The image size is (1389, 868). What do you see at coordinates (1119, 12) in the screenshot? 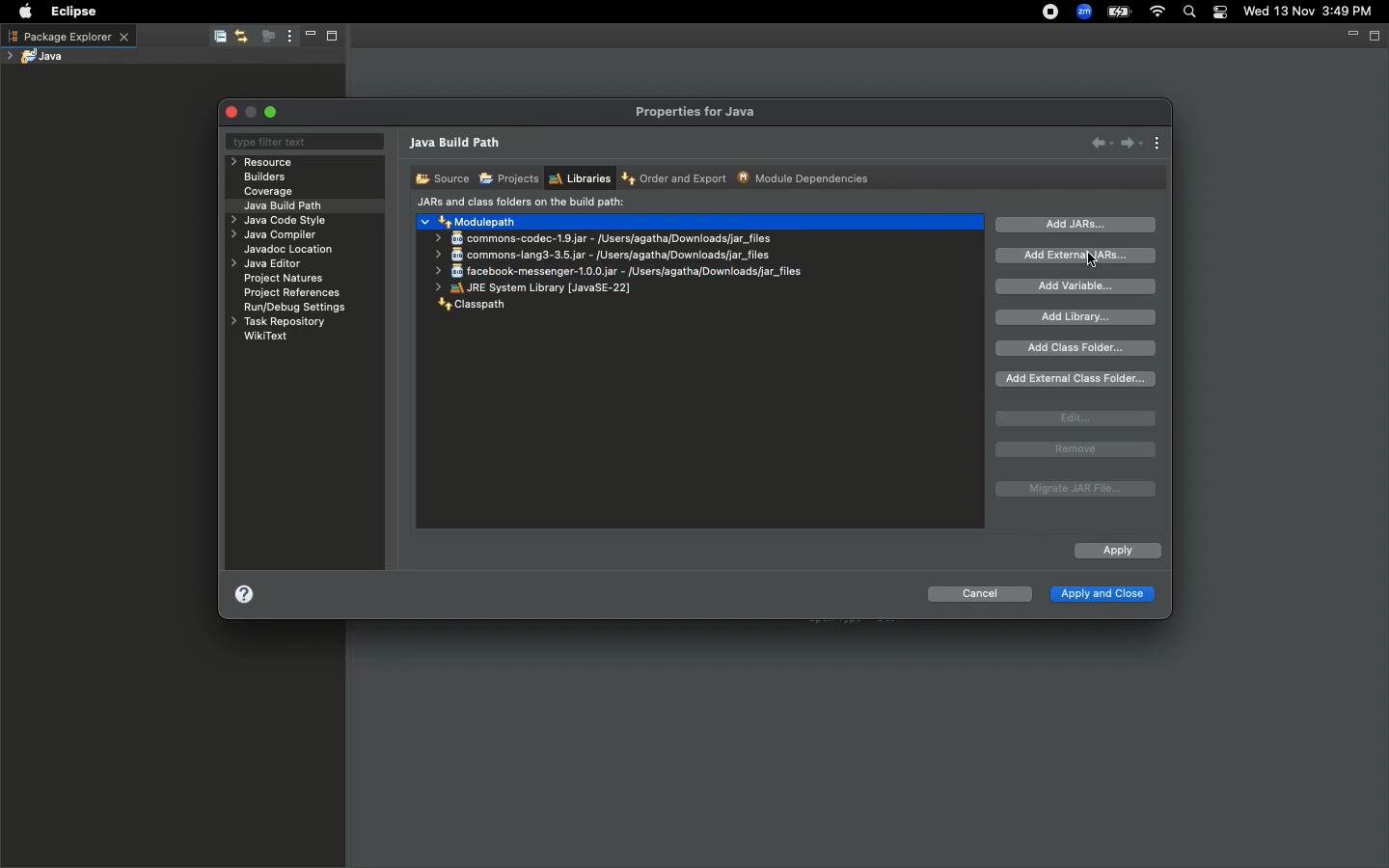
I see `Charge` at bounding box center [1119, 12].